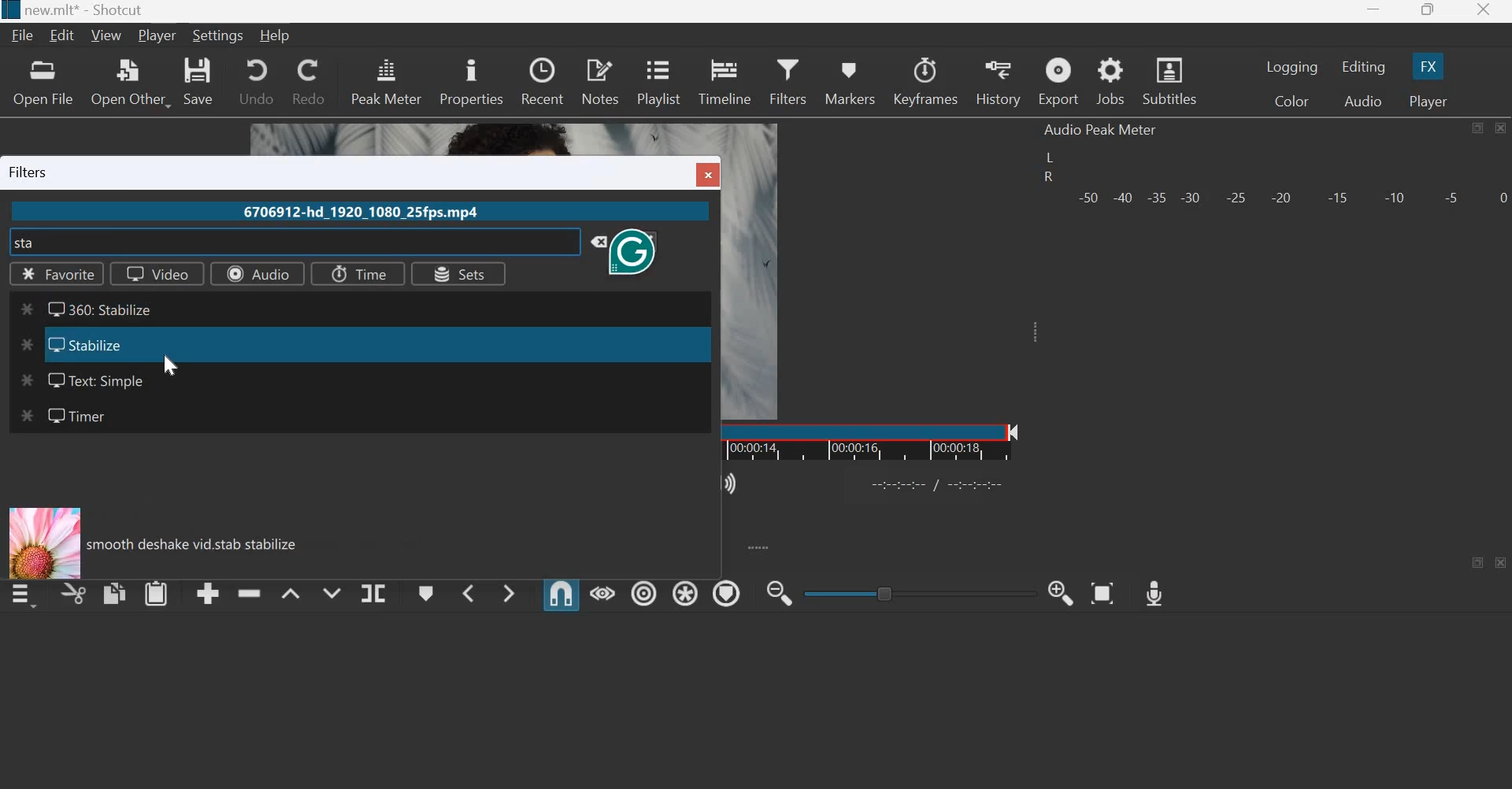  What do you see at coordinates (894, 441) in the screenshot?
I see `Timeline` at bounding box center [894, 441].